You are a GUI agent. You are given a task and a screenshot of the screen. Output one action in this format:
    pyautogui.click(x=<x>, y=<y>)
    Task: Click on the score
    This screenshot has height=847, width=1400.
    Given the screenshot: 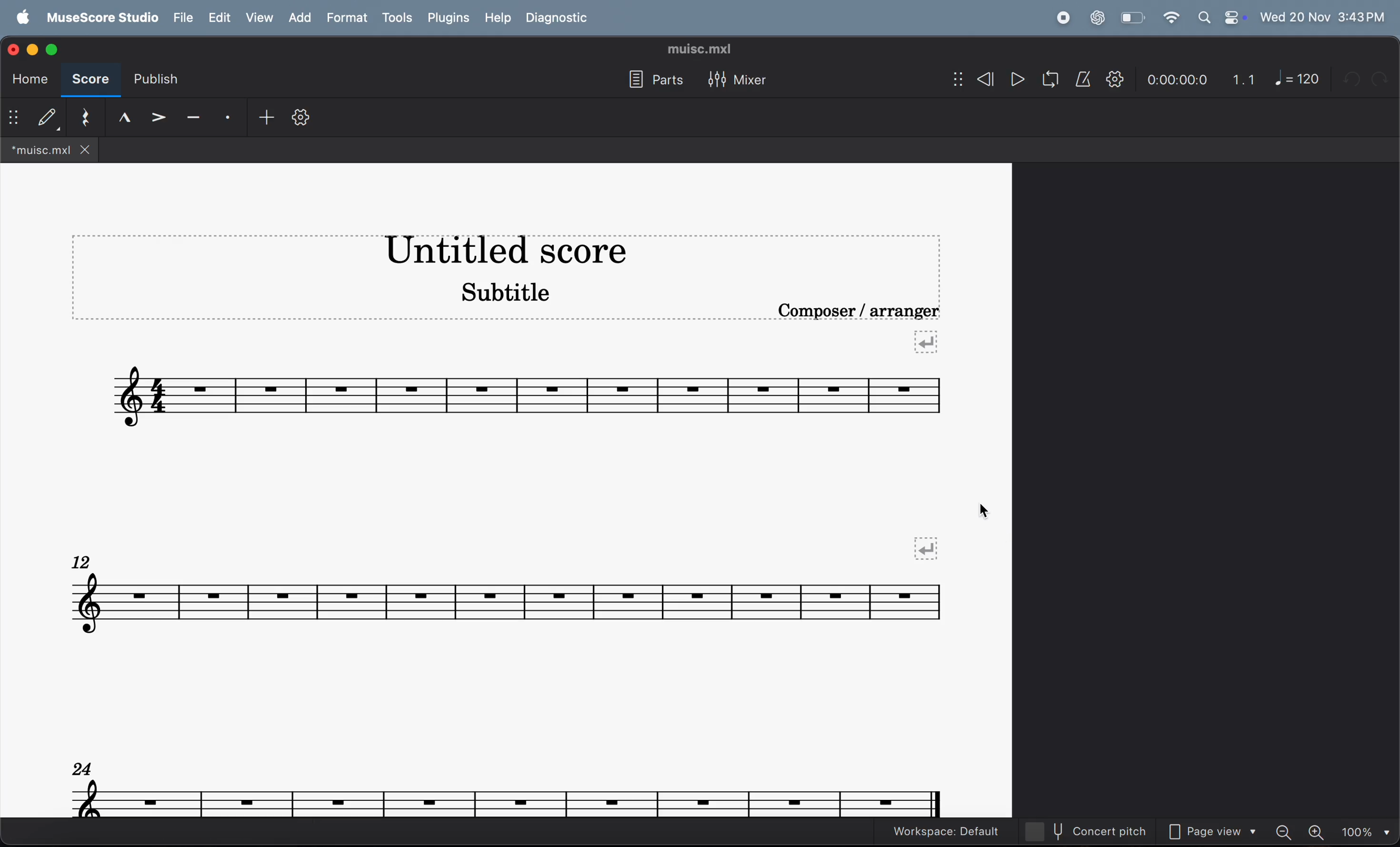 What is the action you would take?
    pyautogui.click(x=94, y=81)
    